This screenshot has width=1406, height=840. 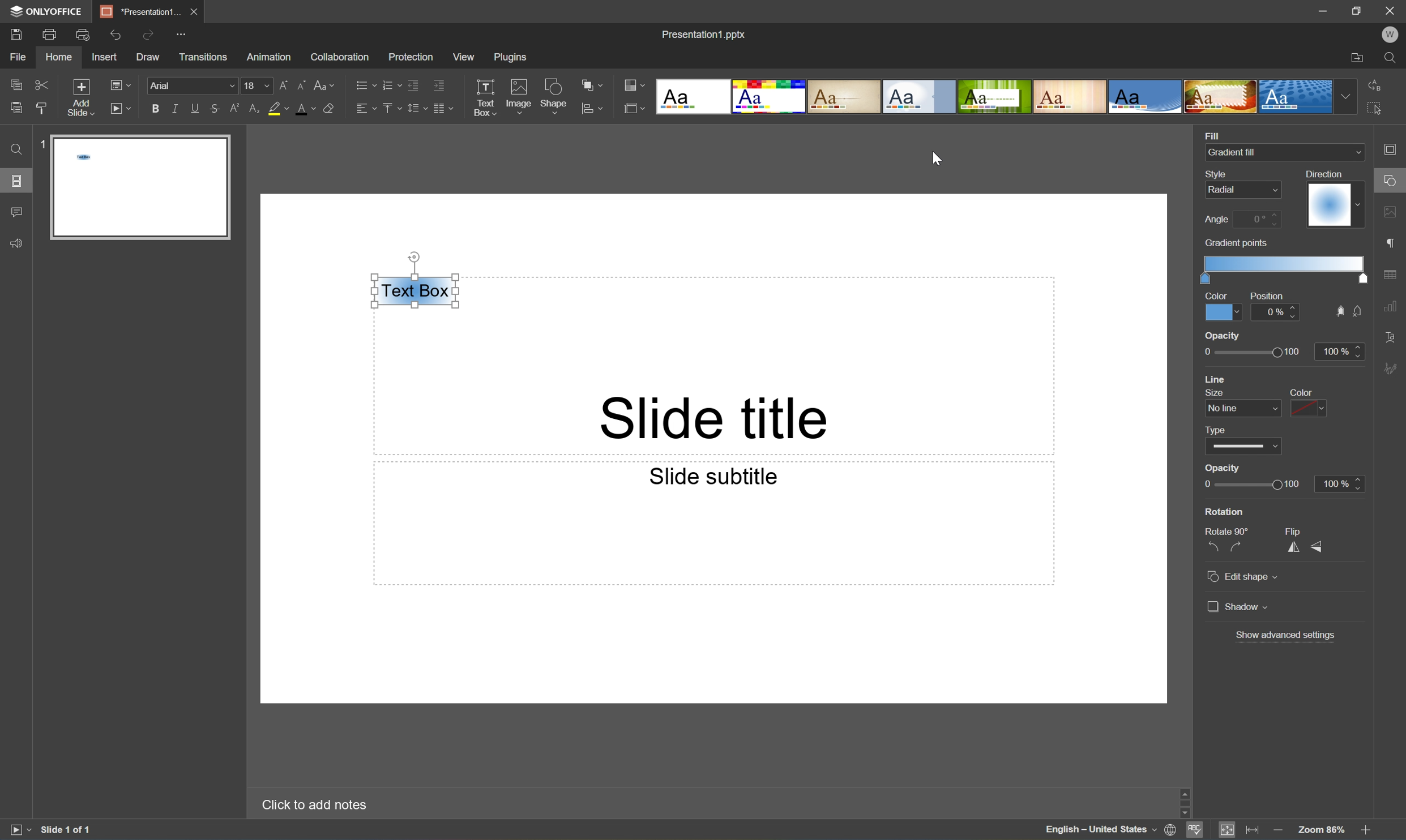 What do you see at coordinates (1392, 10) in the screenshot?
I see `Close` at bounding box center [1392, 10].